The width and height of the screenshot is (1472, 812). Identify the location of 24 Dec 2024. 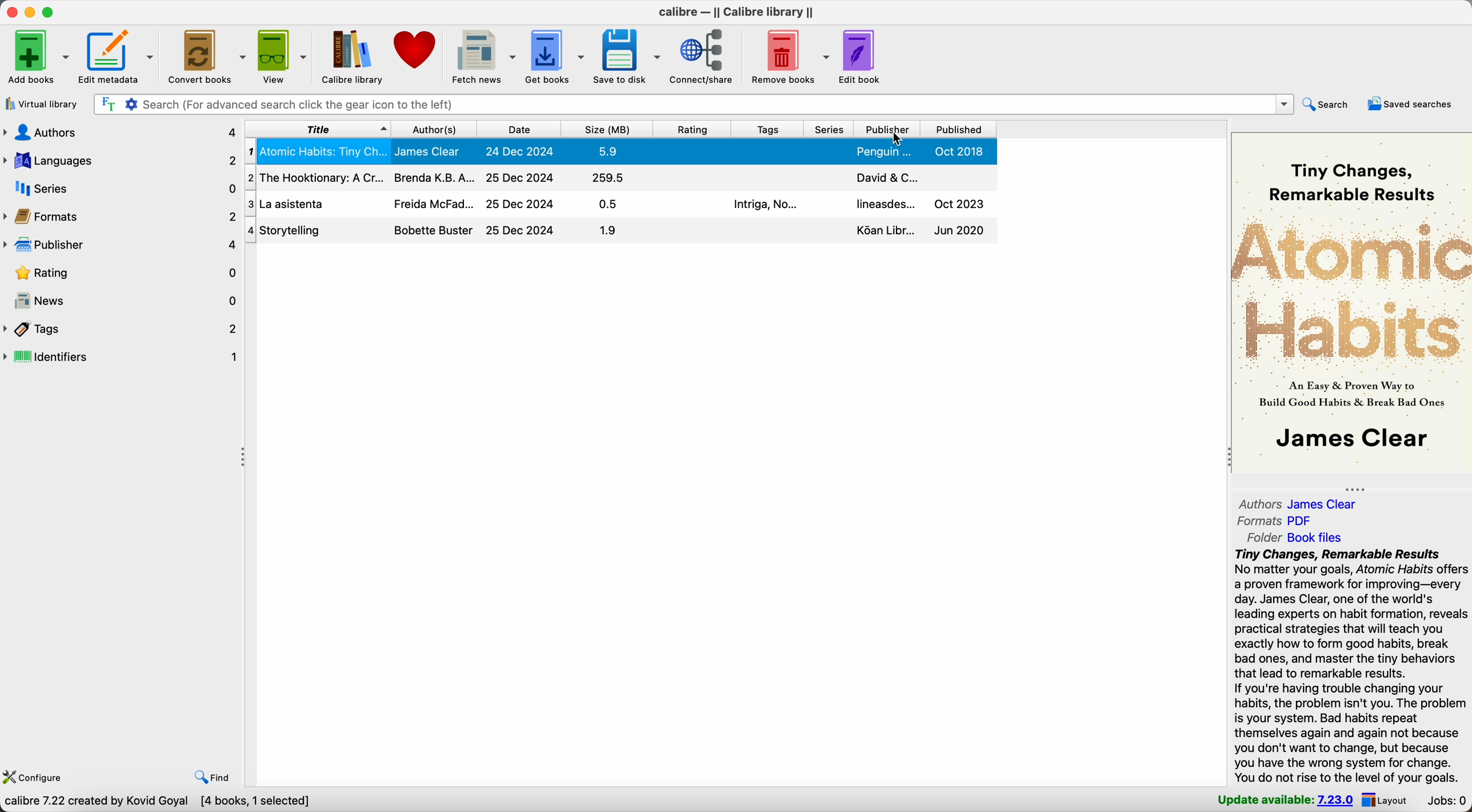
(520, 229).